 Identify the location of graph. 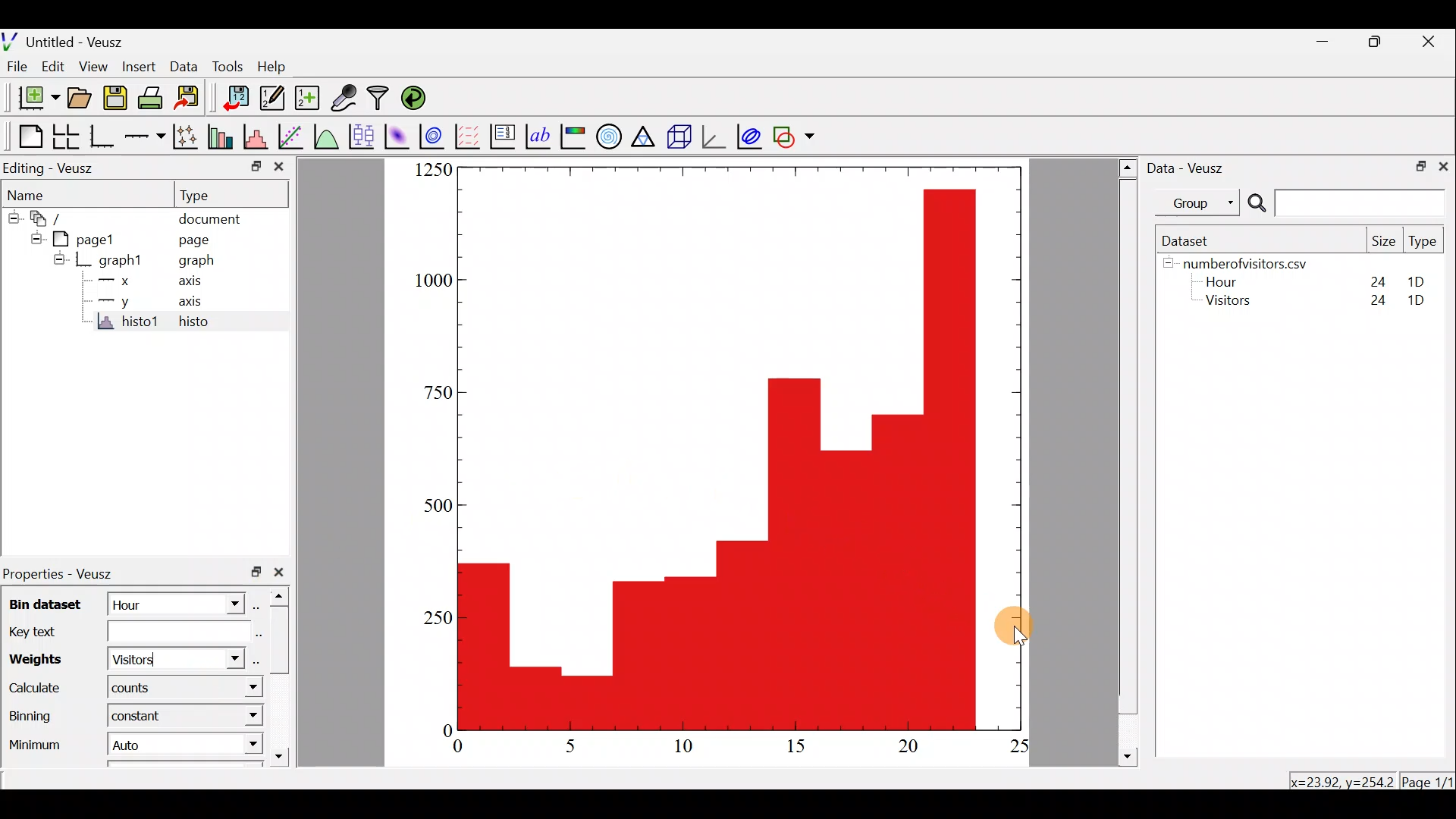
(202, 262).